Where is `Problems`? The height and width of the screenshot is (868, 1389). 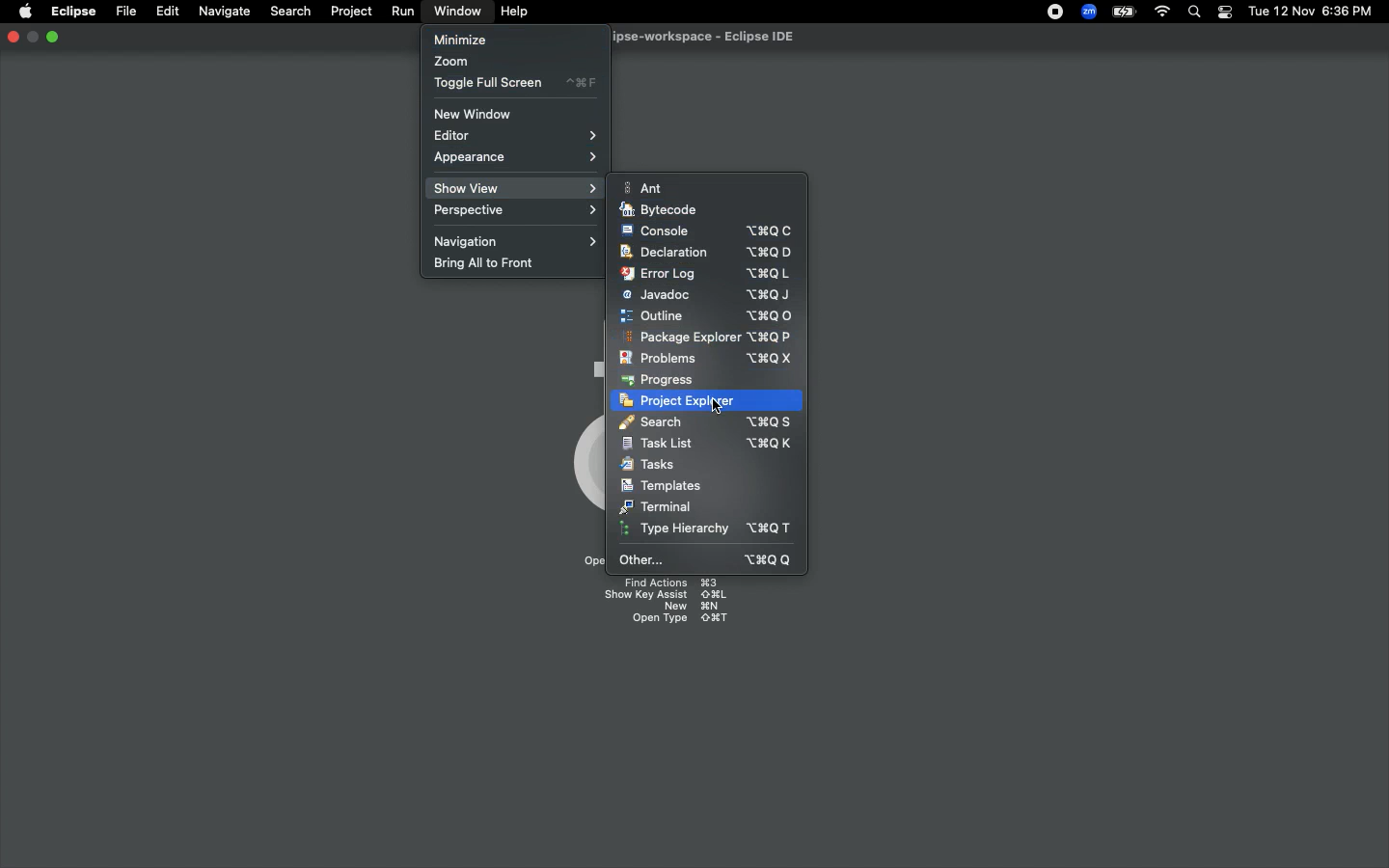 Problems is located at coordinates (705, 359).